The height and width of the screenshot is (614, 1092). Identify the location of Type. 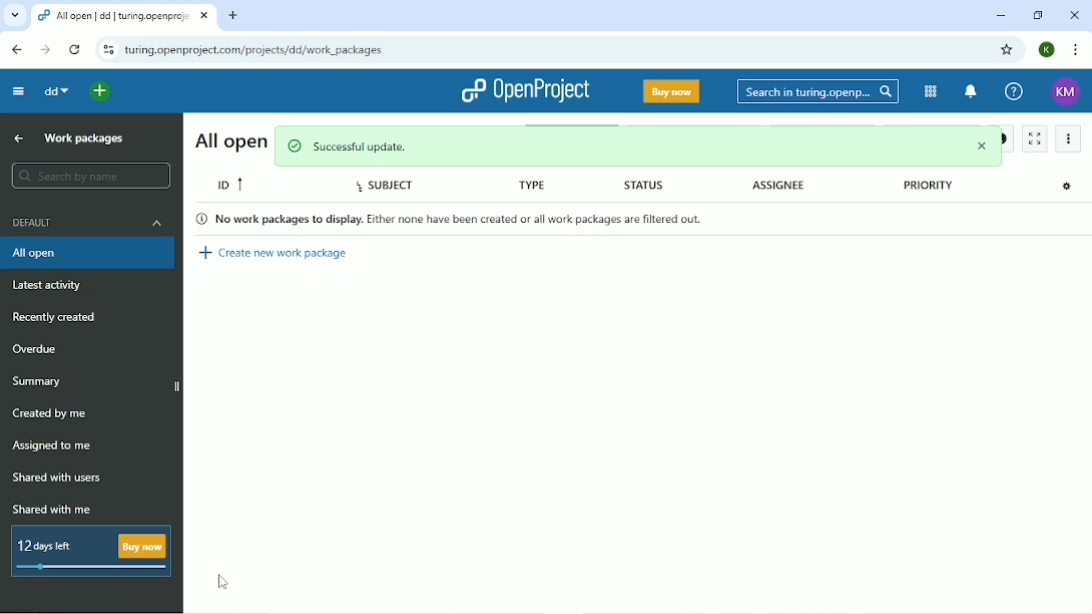
(527, 186).